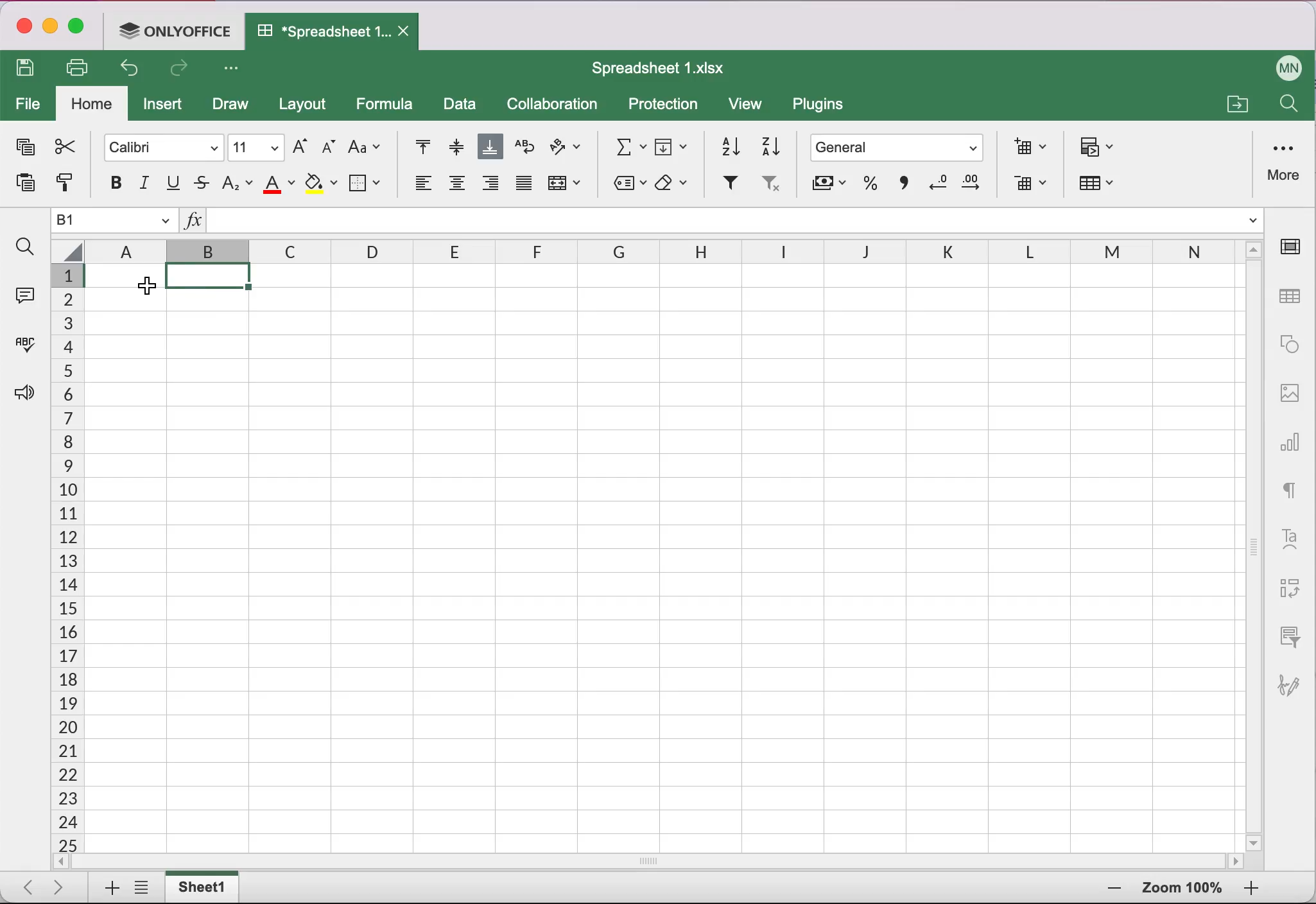  Describe the element at coordinates (558, 105) in the screenshot. I see `collaboration` at that location.